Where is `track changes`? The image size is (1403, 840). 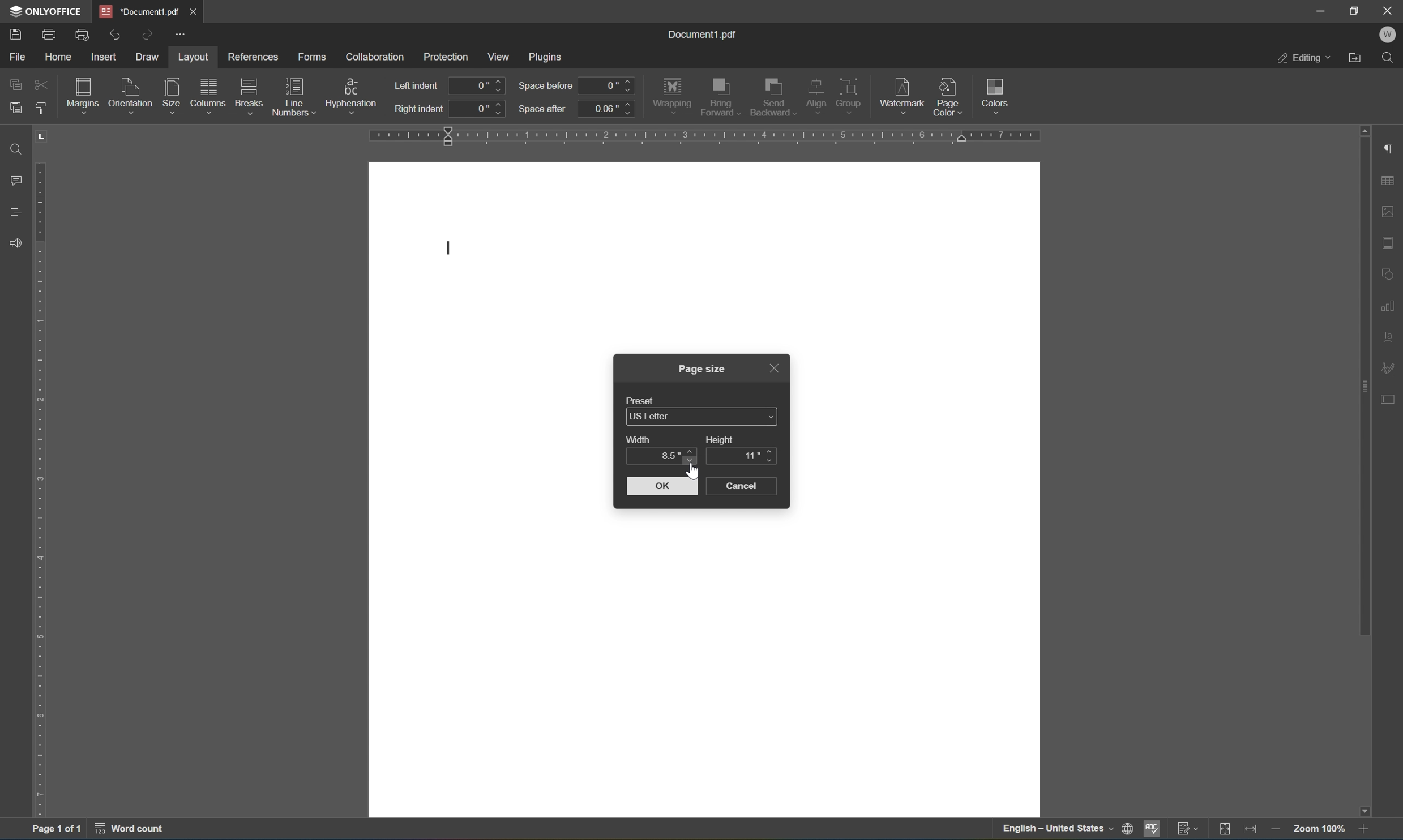 track changes is located at coordinates (1190, 830).